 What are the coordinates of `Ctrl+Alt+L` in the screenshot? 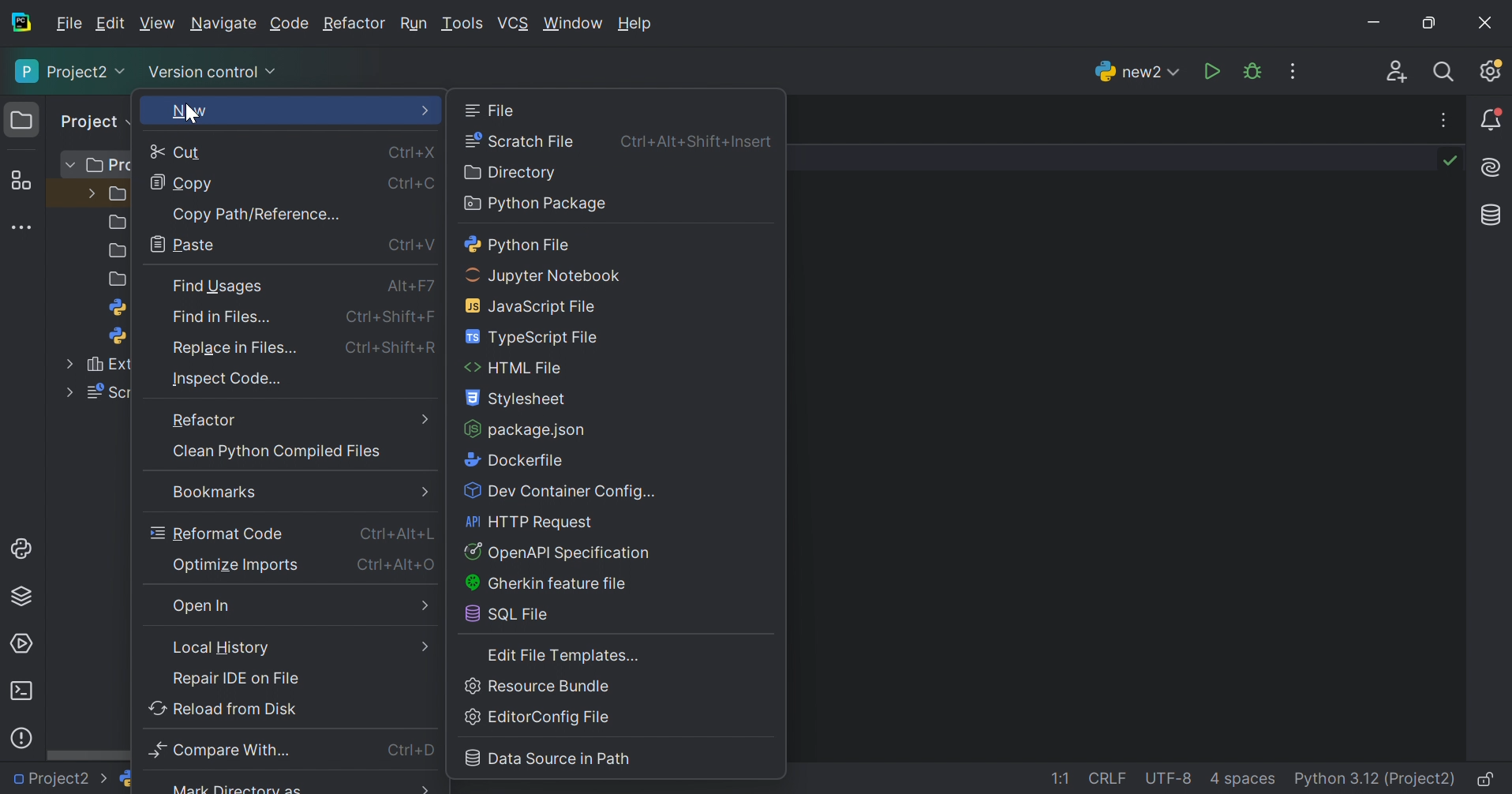 It's located at (400, 534).